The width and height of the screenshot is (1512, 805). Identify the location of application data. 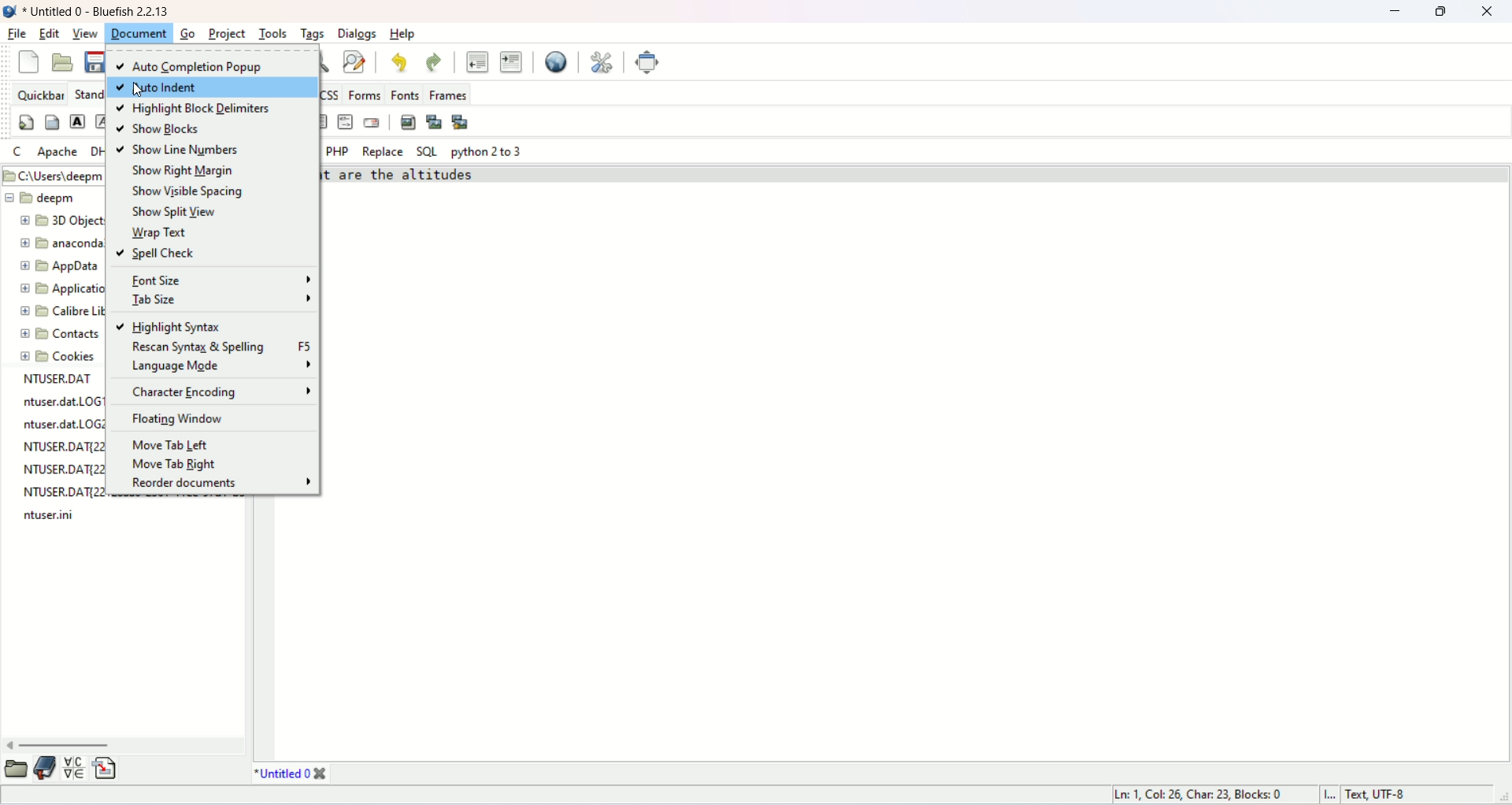
(67, 289).